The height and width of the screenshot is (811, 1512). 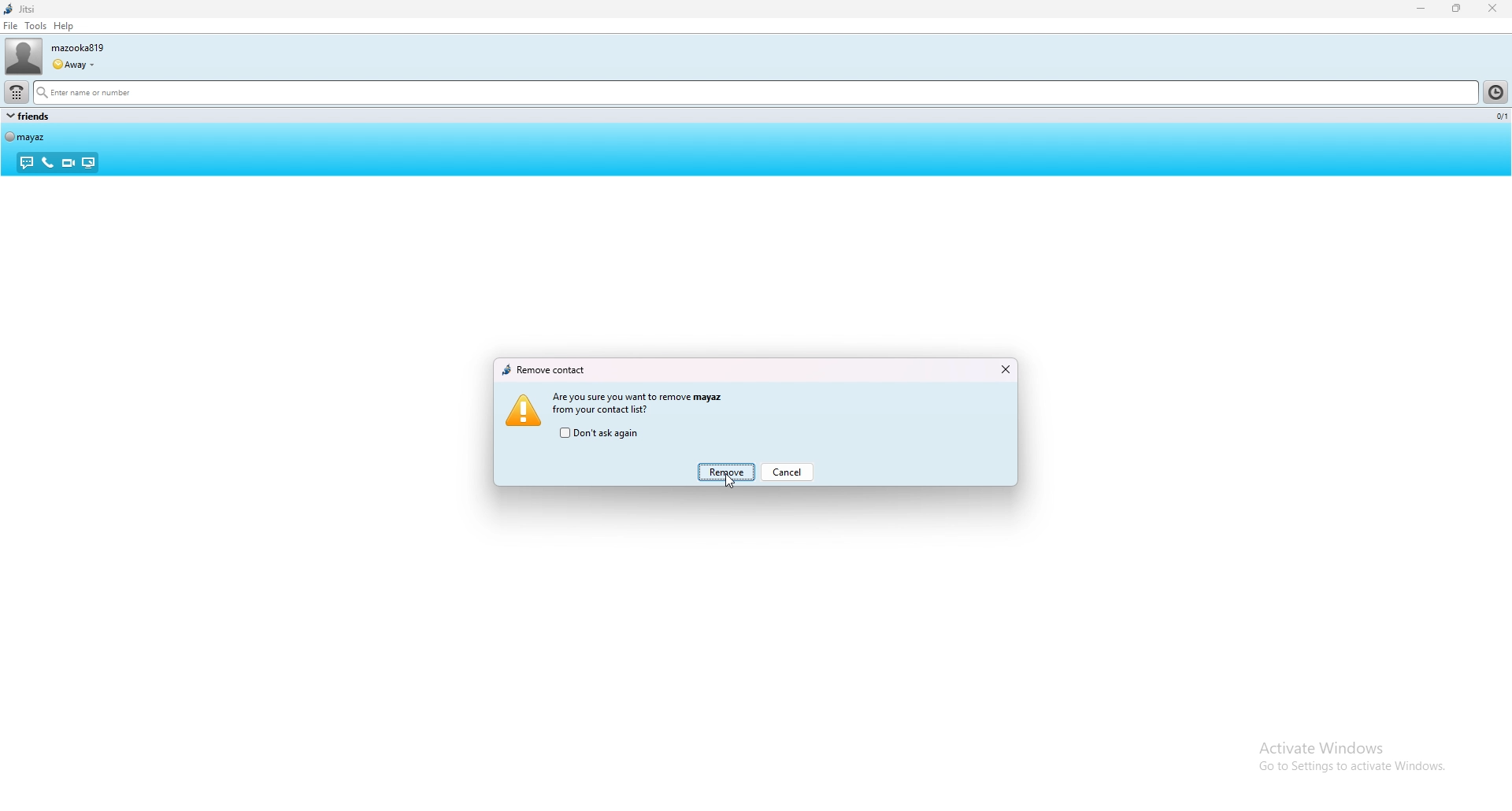 What do you see at coordinates (23, 57) in the screenshot?
I see `user photo` at bounding box center [23, 57].